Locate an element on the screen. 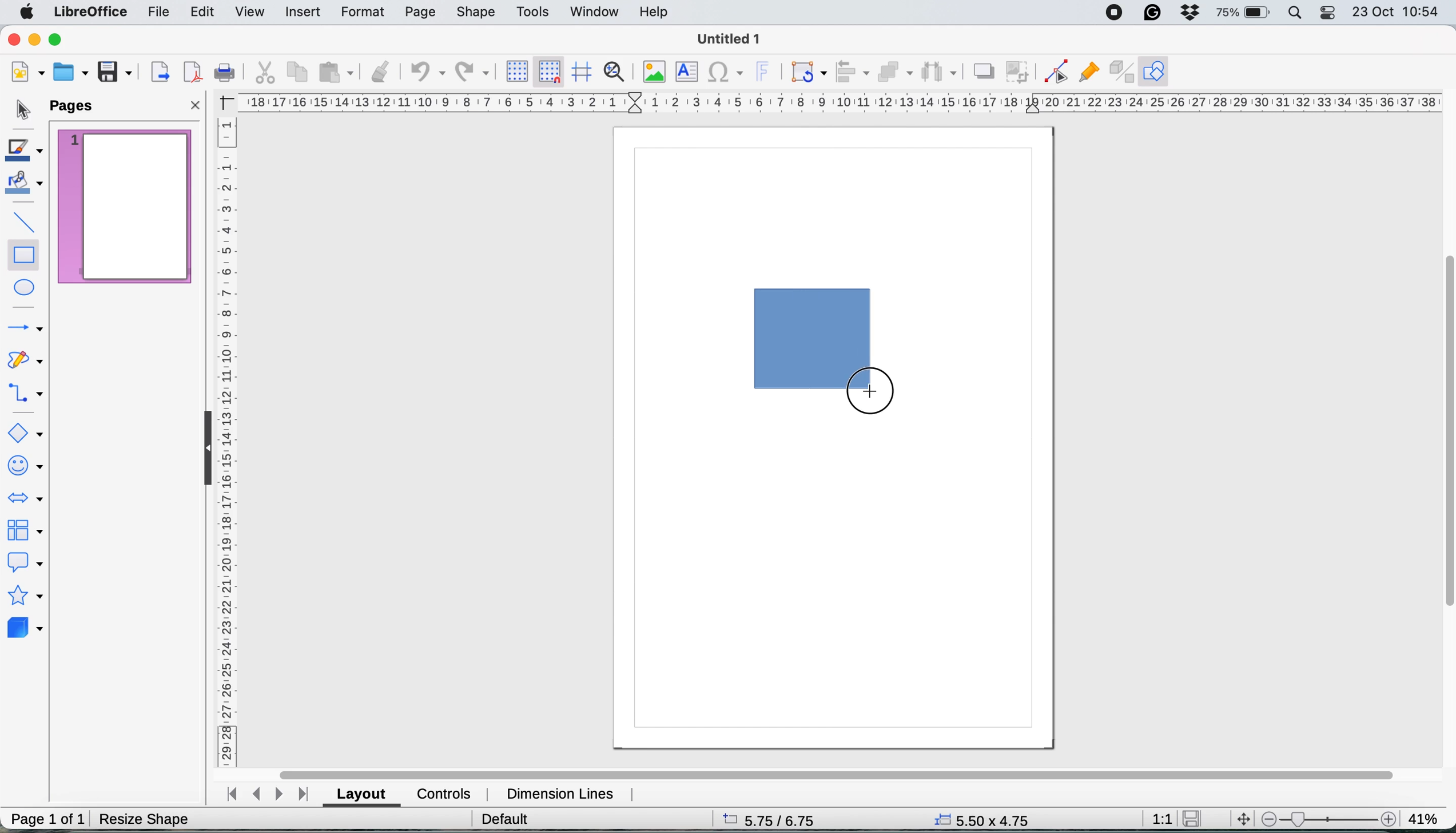  pages is located at coordinates (77, 107).